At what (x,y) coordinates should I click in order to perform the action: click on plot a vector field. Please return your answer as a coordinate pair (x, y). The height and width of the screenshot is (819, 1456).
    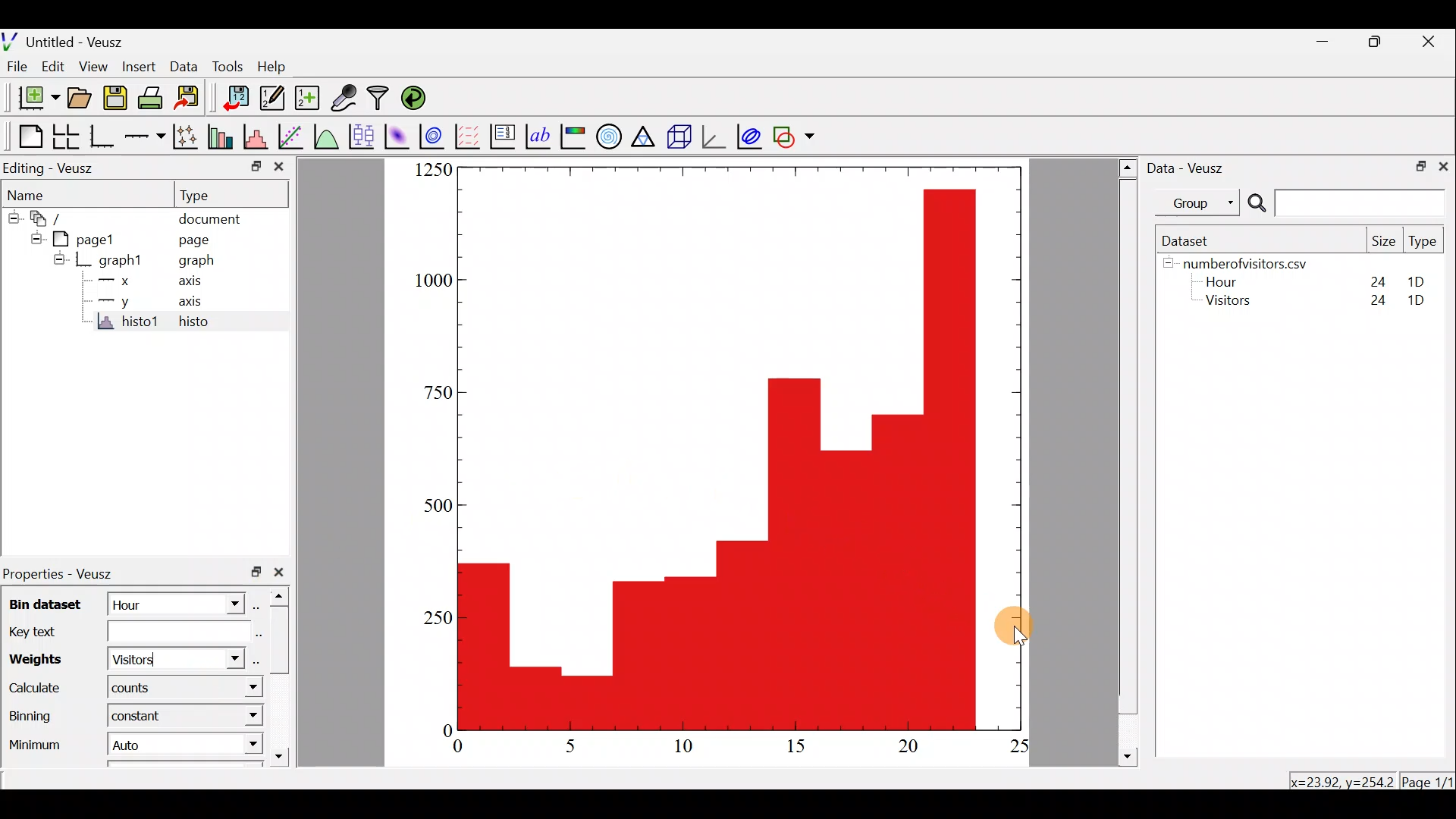
    Looking at the image, I should click on (467, 134).